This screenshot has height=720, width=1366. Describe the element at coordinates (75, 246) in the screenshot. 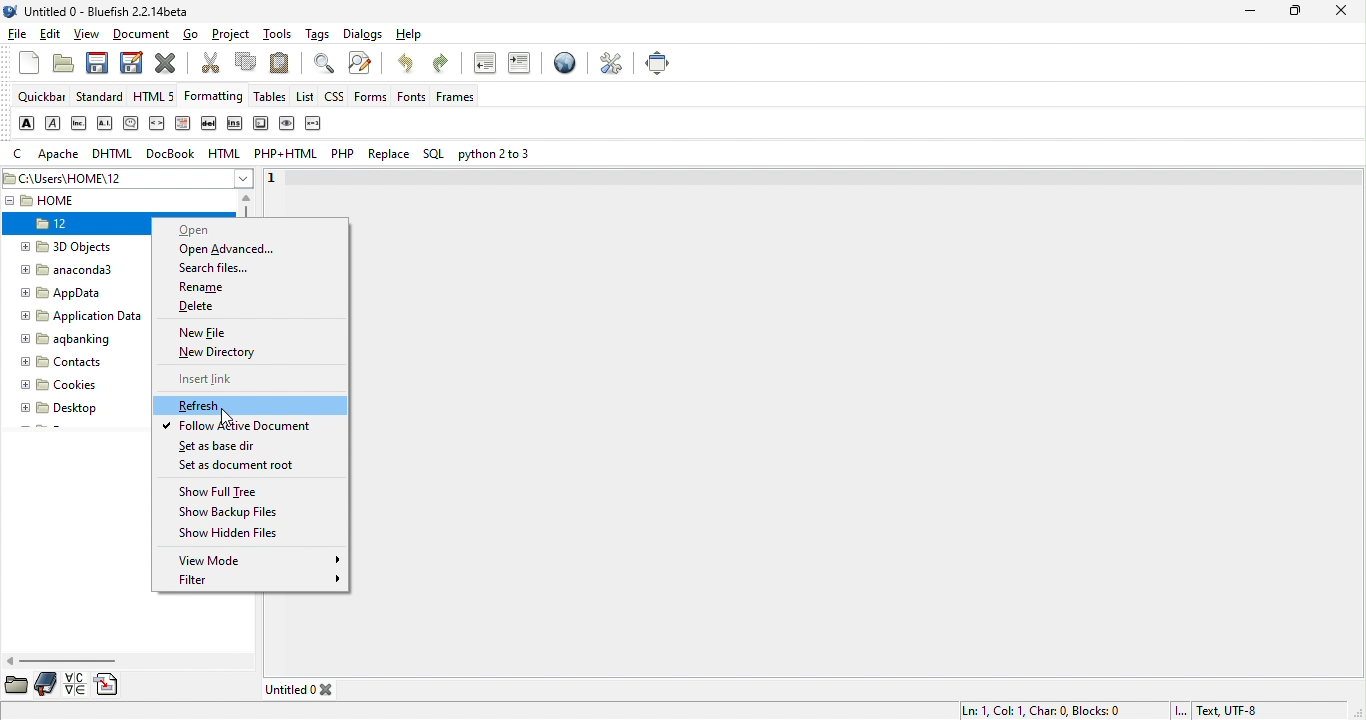

I see `3d objects` at that location.